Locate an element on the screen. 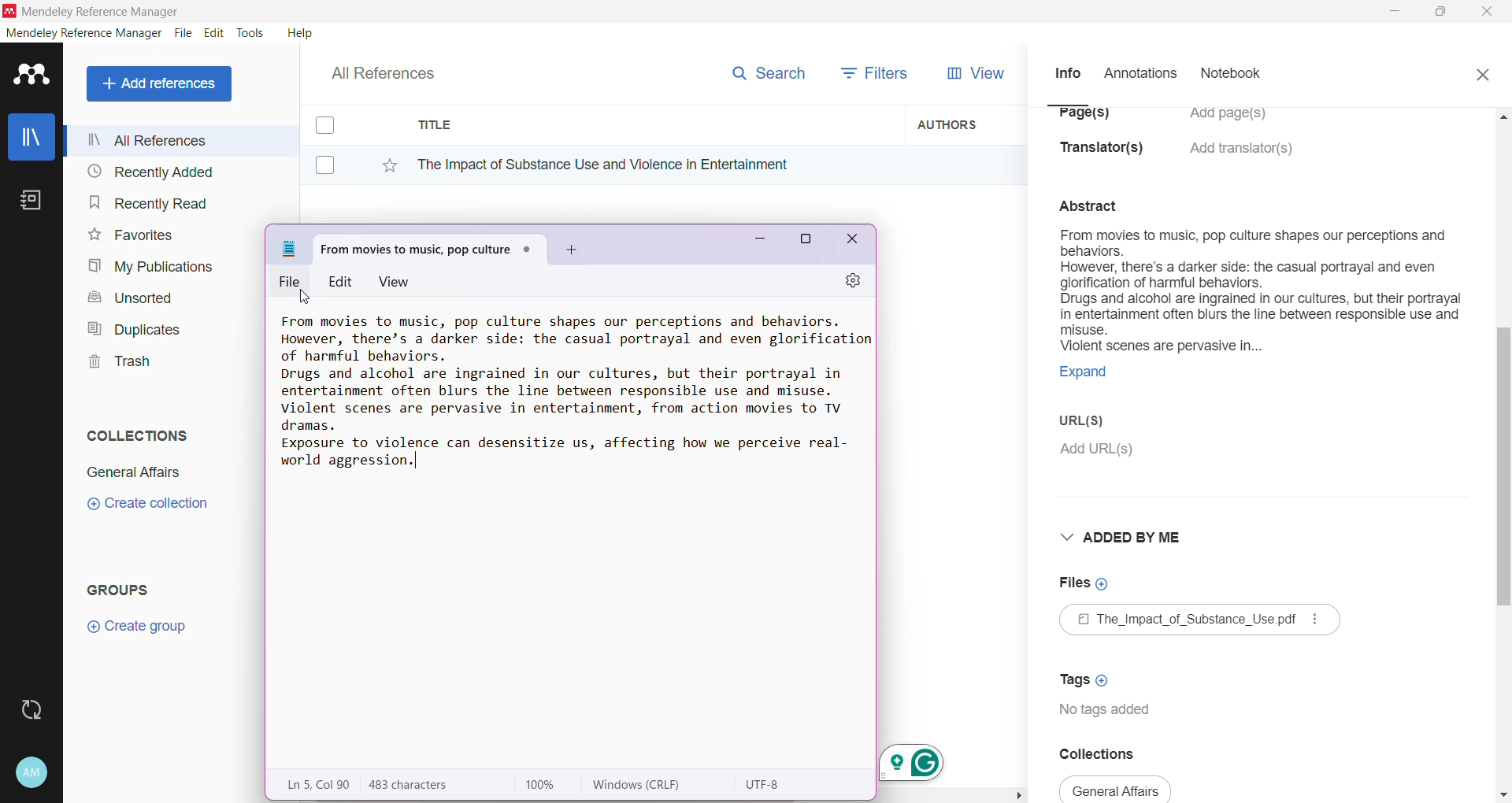 This screenshot has width=1512, height=803. All References is located at coordinates (394, 69).